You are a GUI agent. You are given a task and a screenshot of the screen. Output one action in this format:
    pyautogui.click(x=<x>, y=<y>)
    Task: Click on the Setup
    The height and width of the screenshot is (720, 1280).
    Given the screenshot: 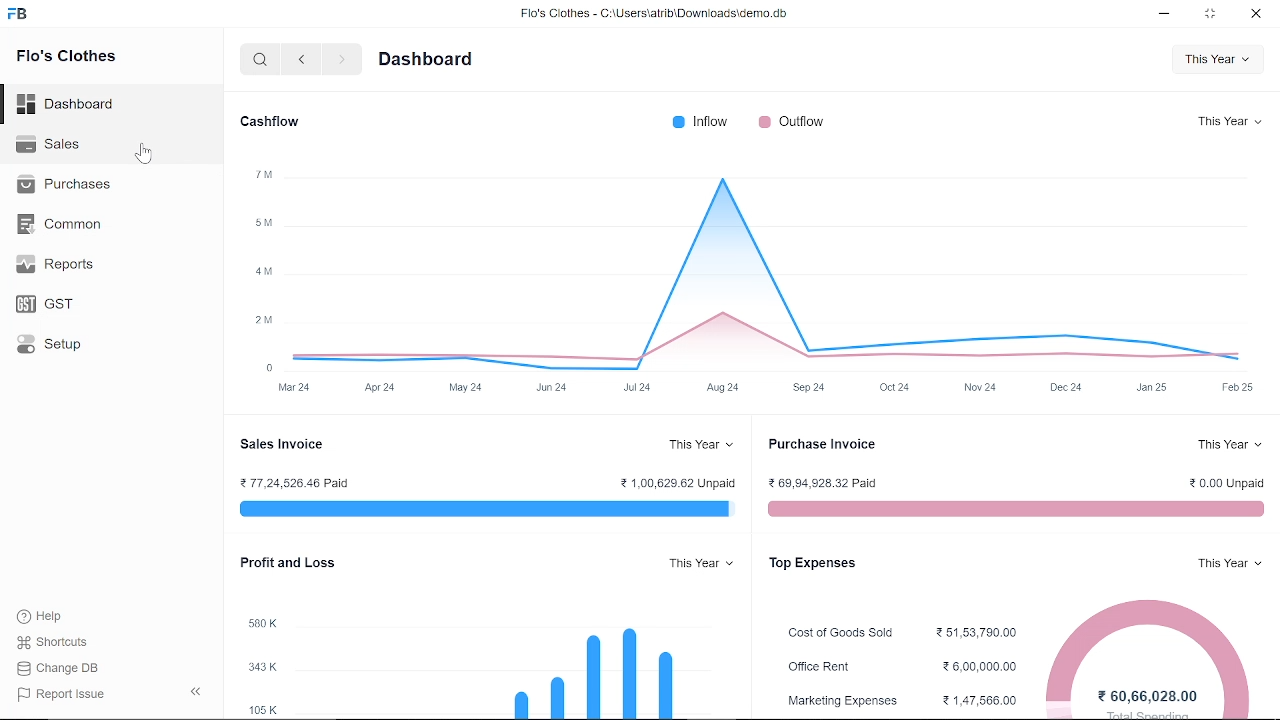 What is the action you would take?
    pyautogui.click(x=50, y=345)
    